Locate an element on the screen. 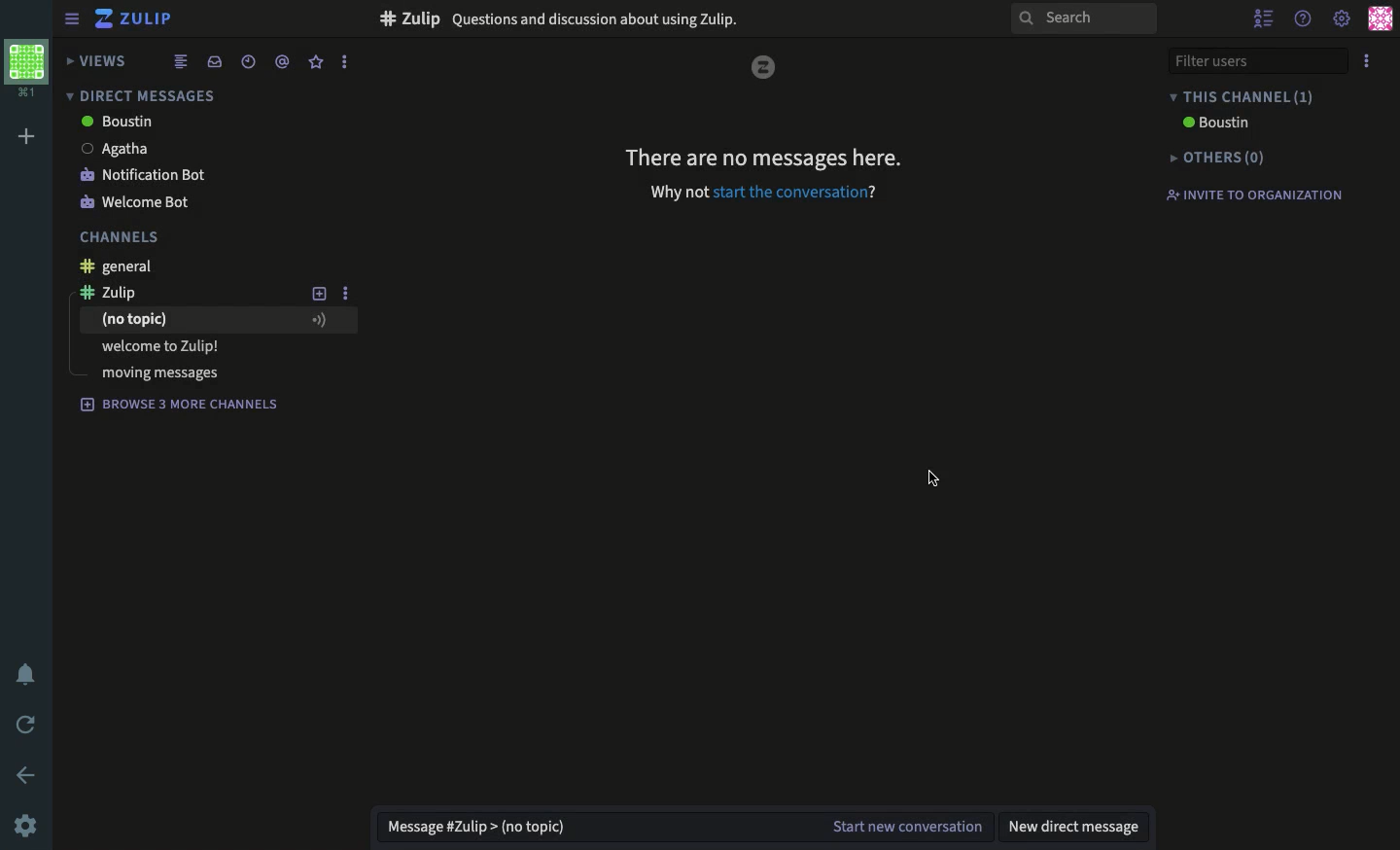  date time is located at coordinates (249, 61).